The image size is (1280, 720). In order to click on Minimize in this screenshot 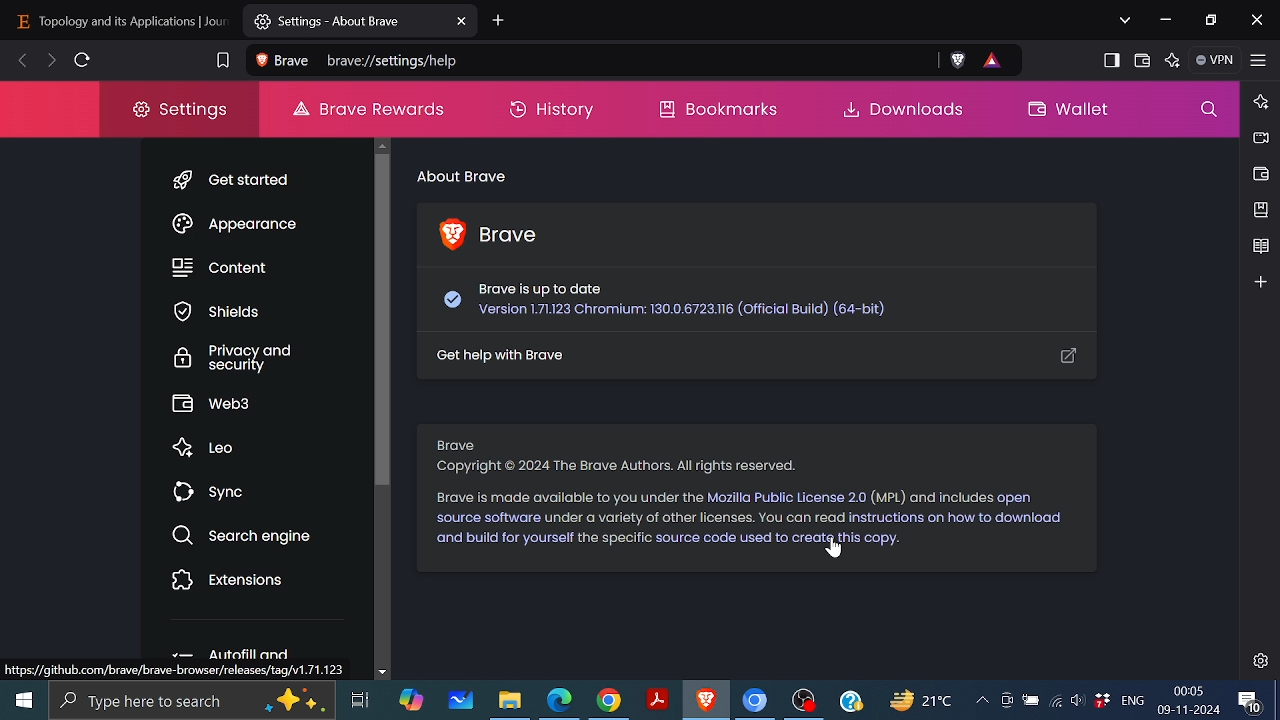, I will do `click(1167, 18)`.